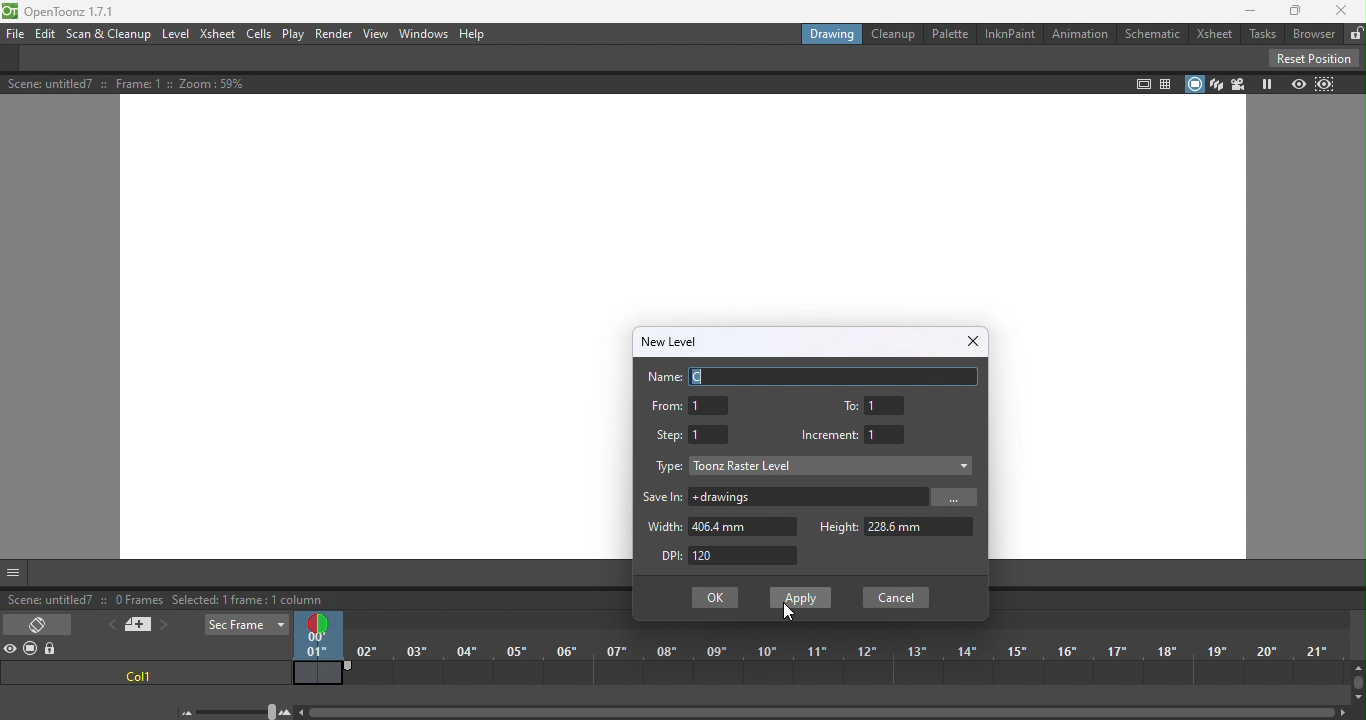 The width and height of the screenshot is (1366, 720). What do you see at coordinates (1345, 10) in the screenshot?
I see `close` at bounding box center [1345, 10].